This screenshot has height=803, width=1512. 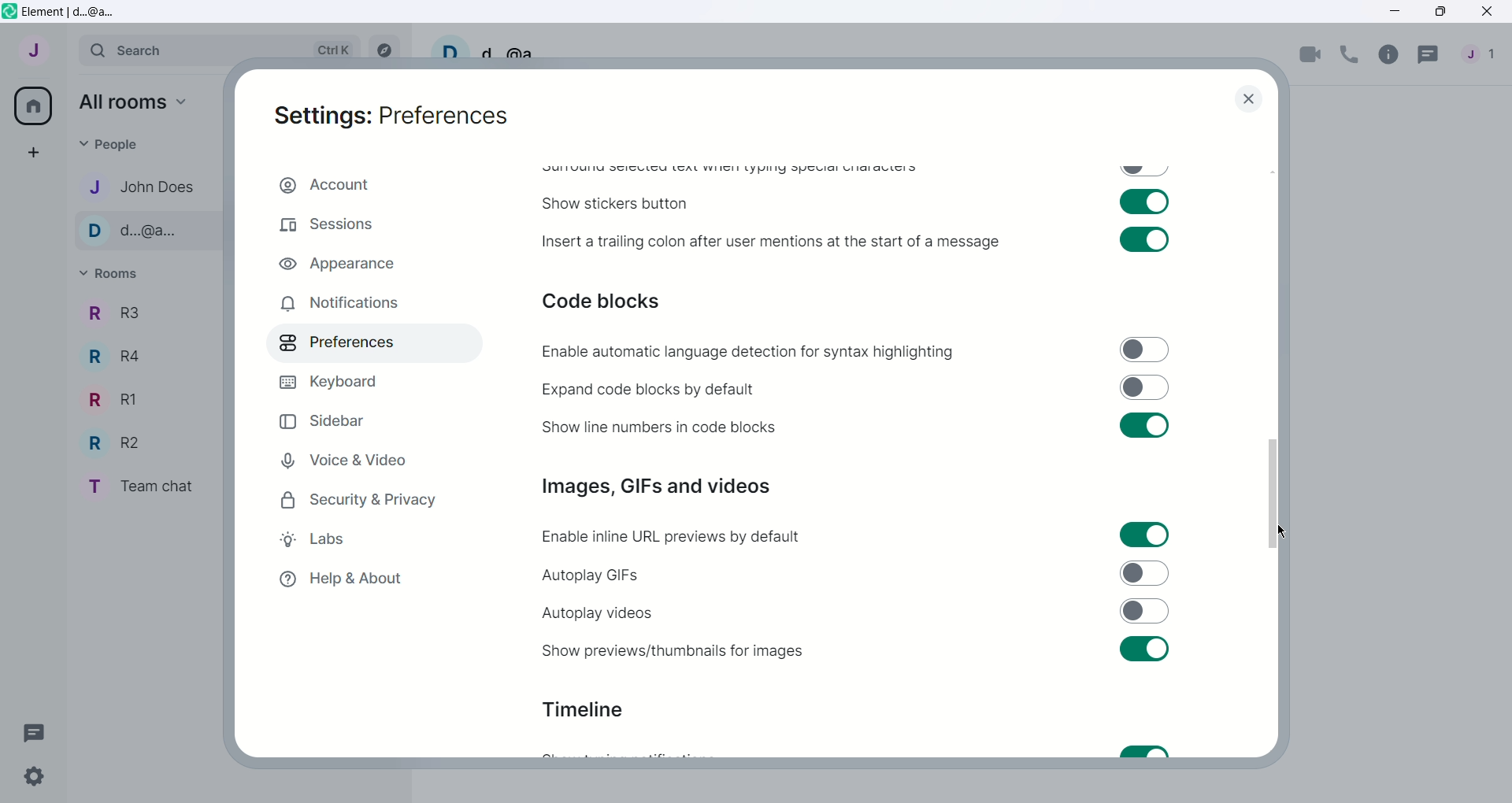 I want to click on All rooms, so click(x=31, y=106).